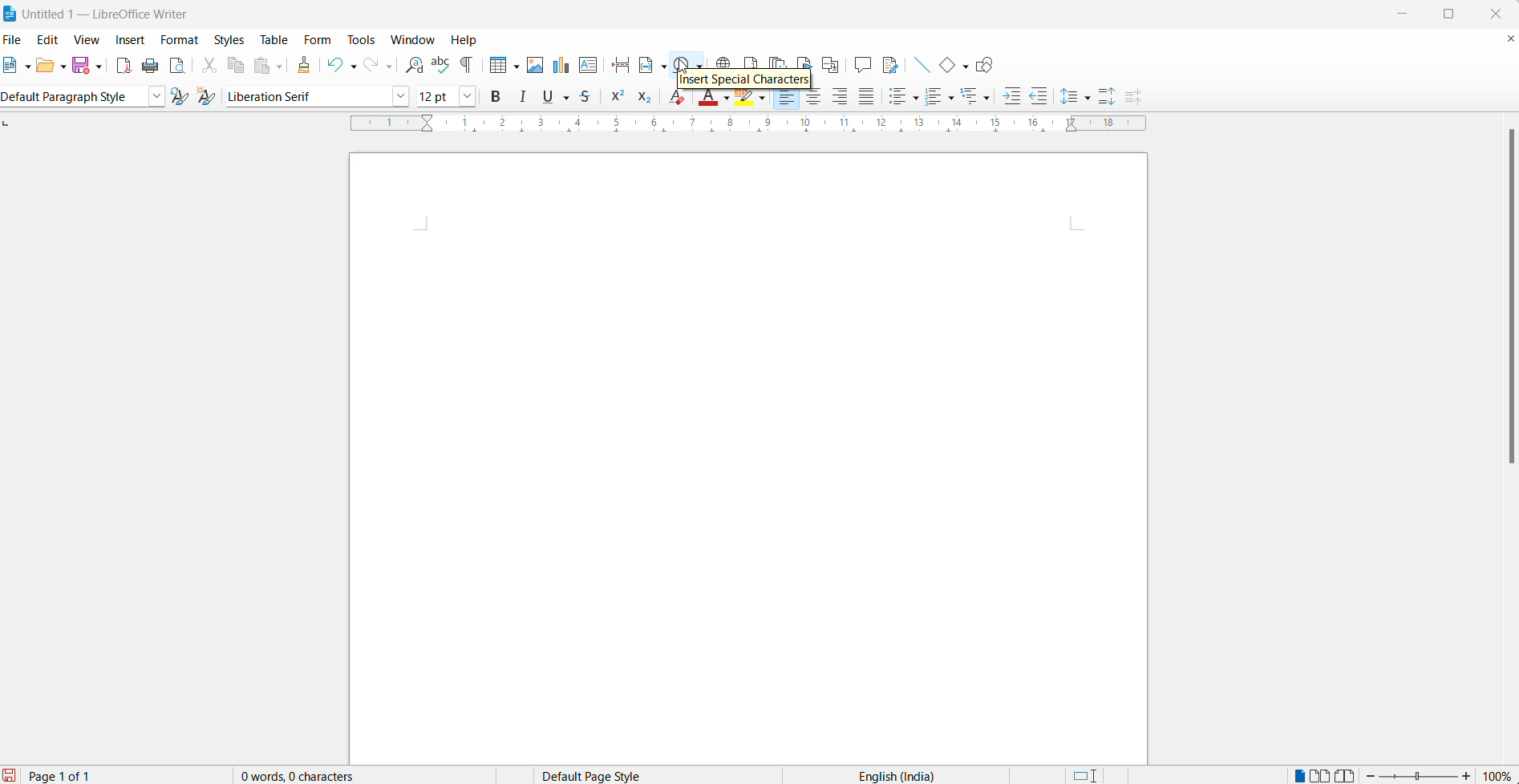 The image size is (1519, 784). I want to click on minimize, so click(1409, 14).